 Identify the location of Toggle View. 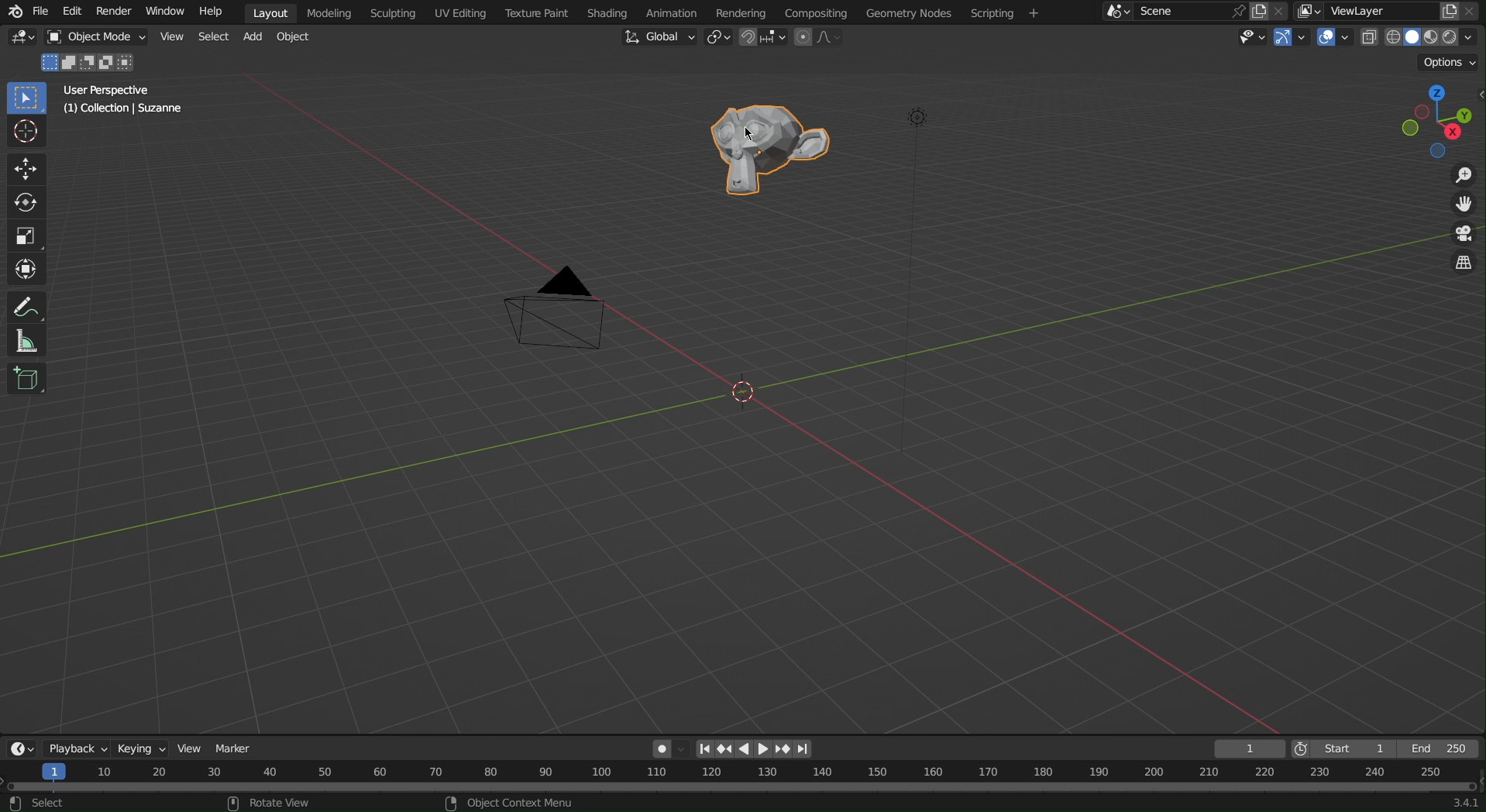
(1463, 264).